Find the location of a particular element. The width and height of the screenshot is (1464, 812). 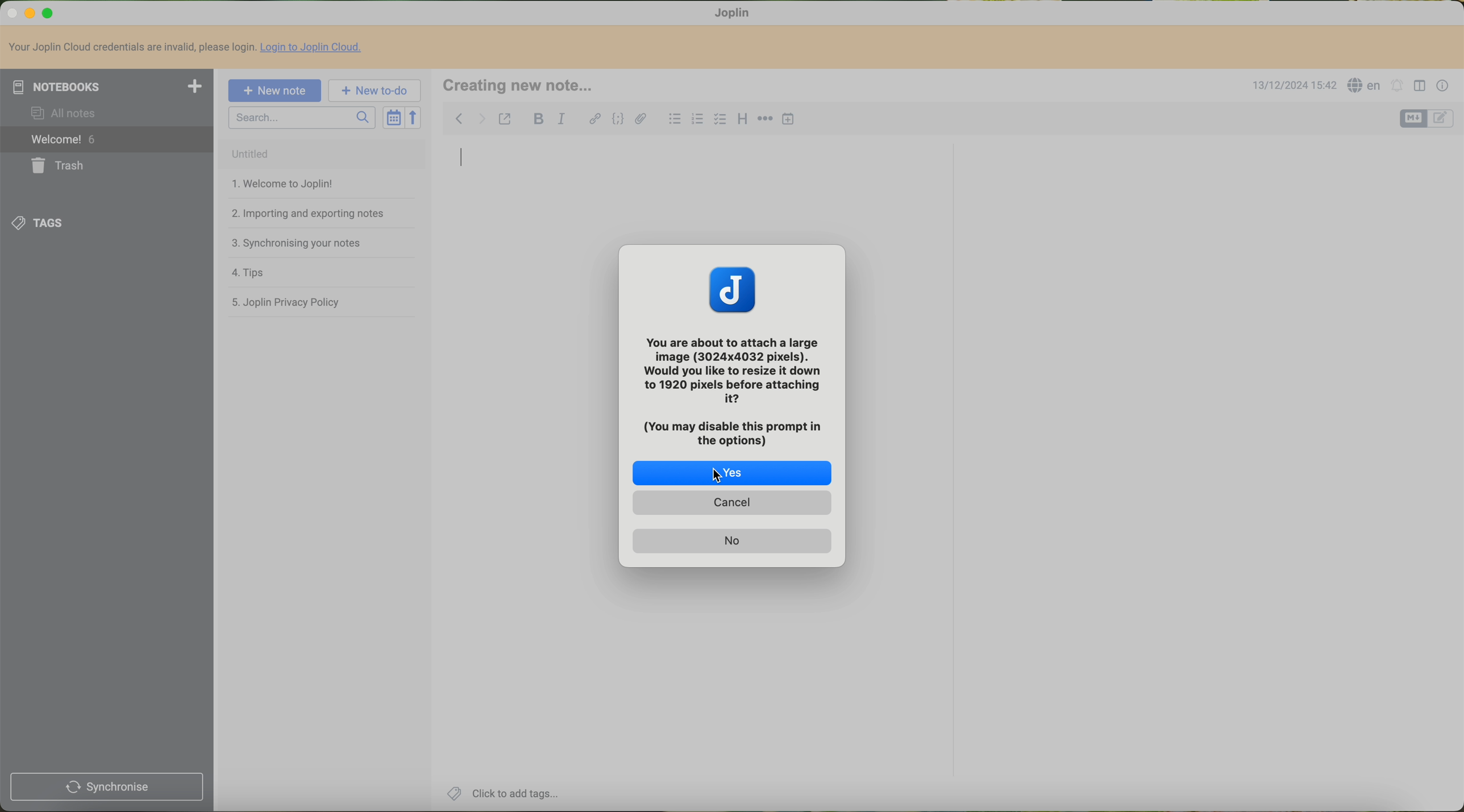

synchronise is located at coordinates (106, 788).